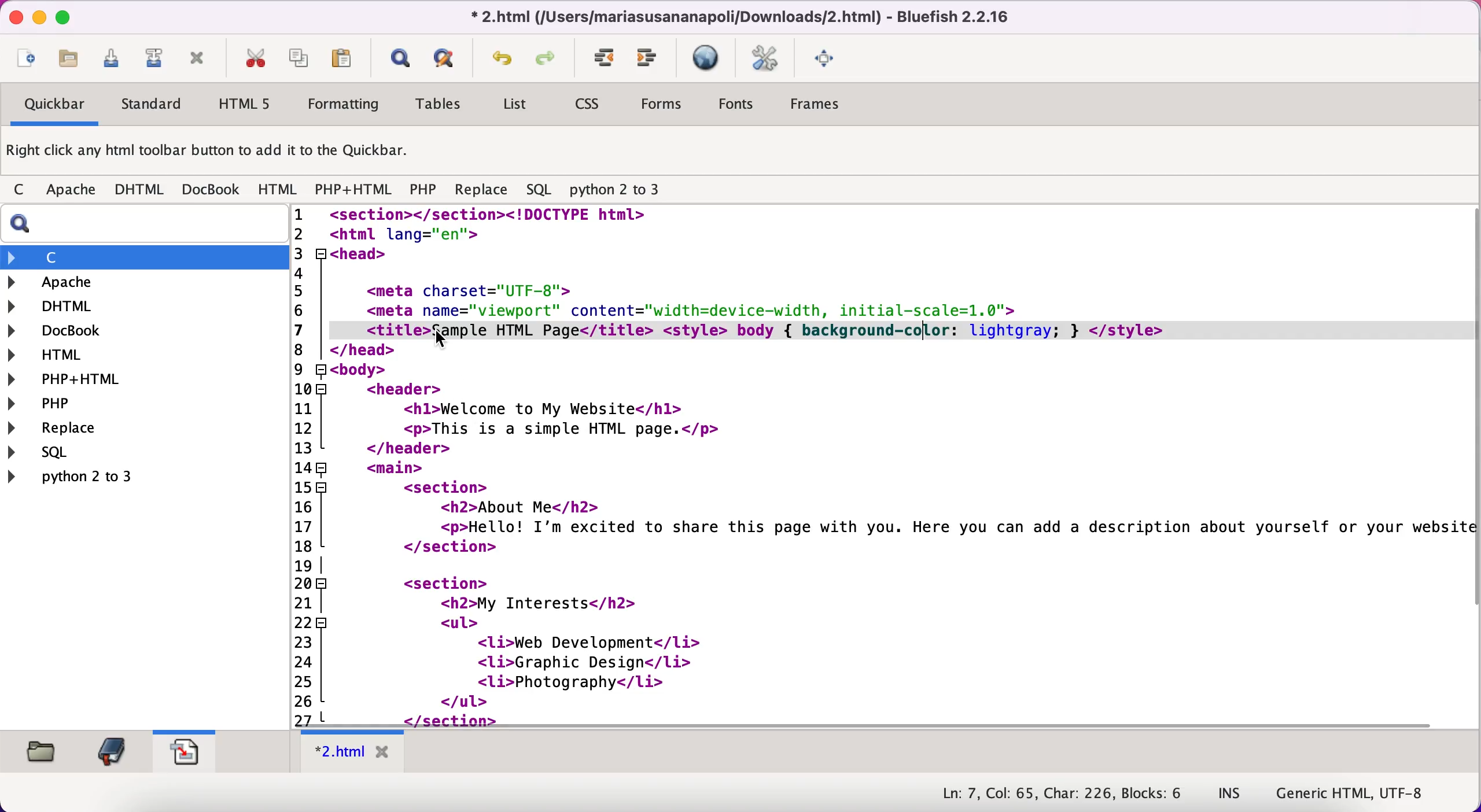 Image resolution: width=1481 pixels, height=812 pixels. Describe the element at coordinates (115, 282) in the screenshot. I see `apache` at that location.